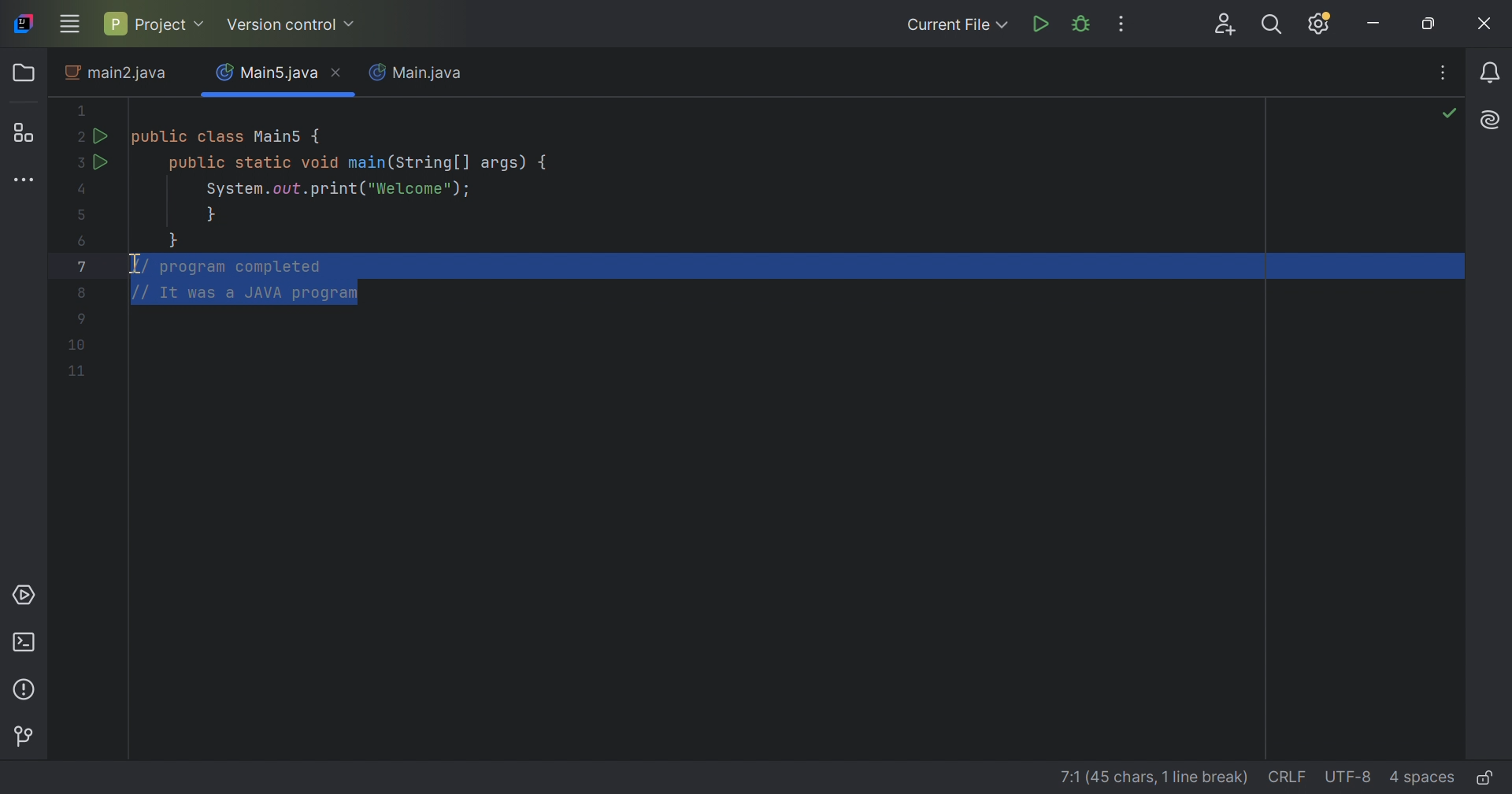  Describe the element at coordinates (1488, 71) in the screenshot. I see `Notifications` at that location.